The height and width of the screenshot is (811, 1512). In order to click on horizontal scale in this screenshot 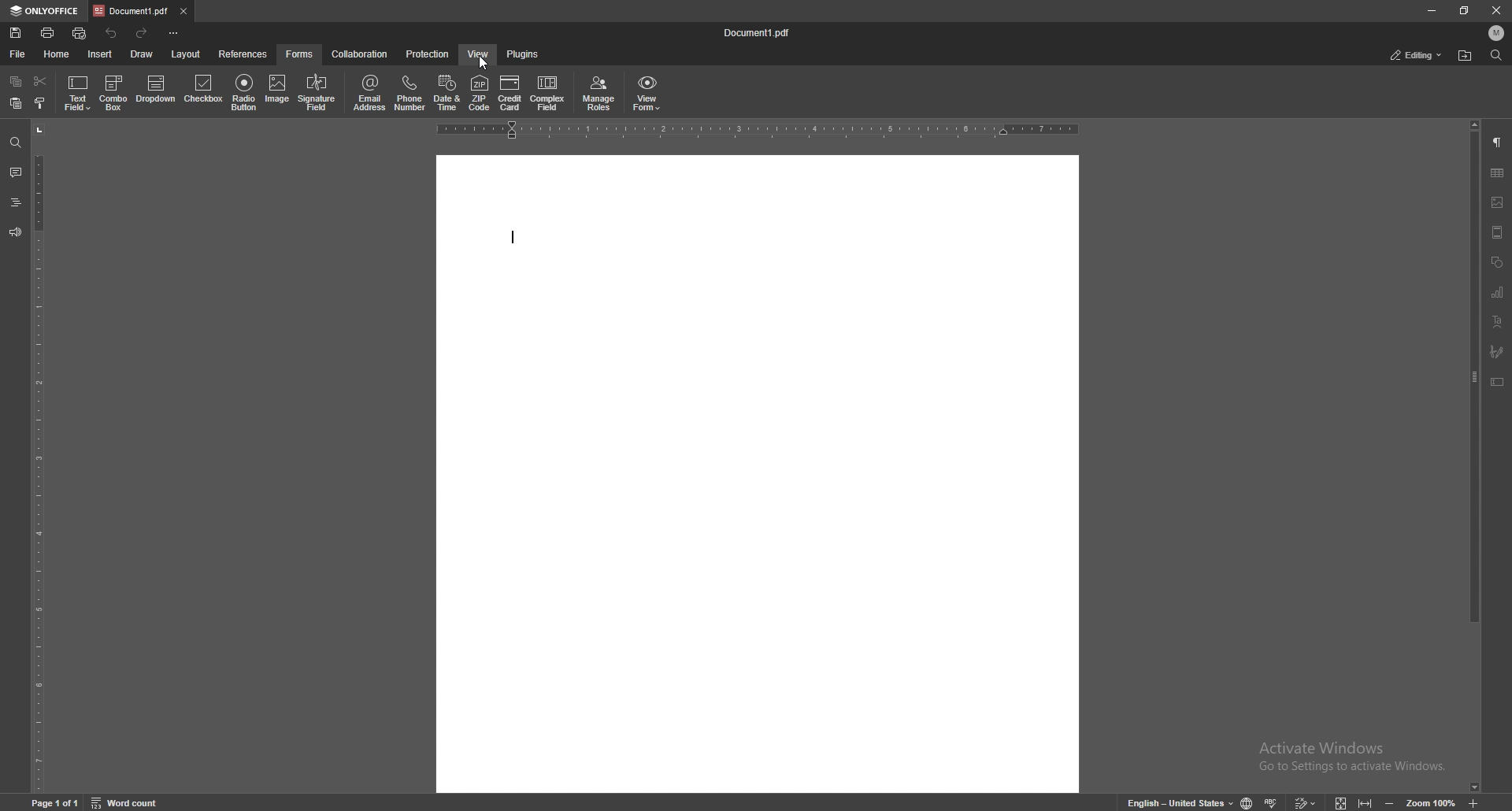, I will do `click(758, 130)`.